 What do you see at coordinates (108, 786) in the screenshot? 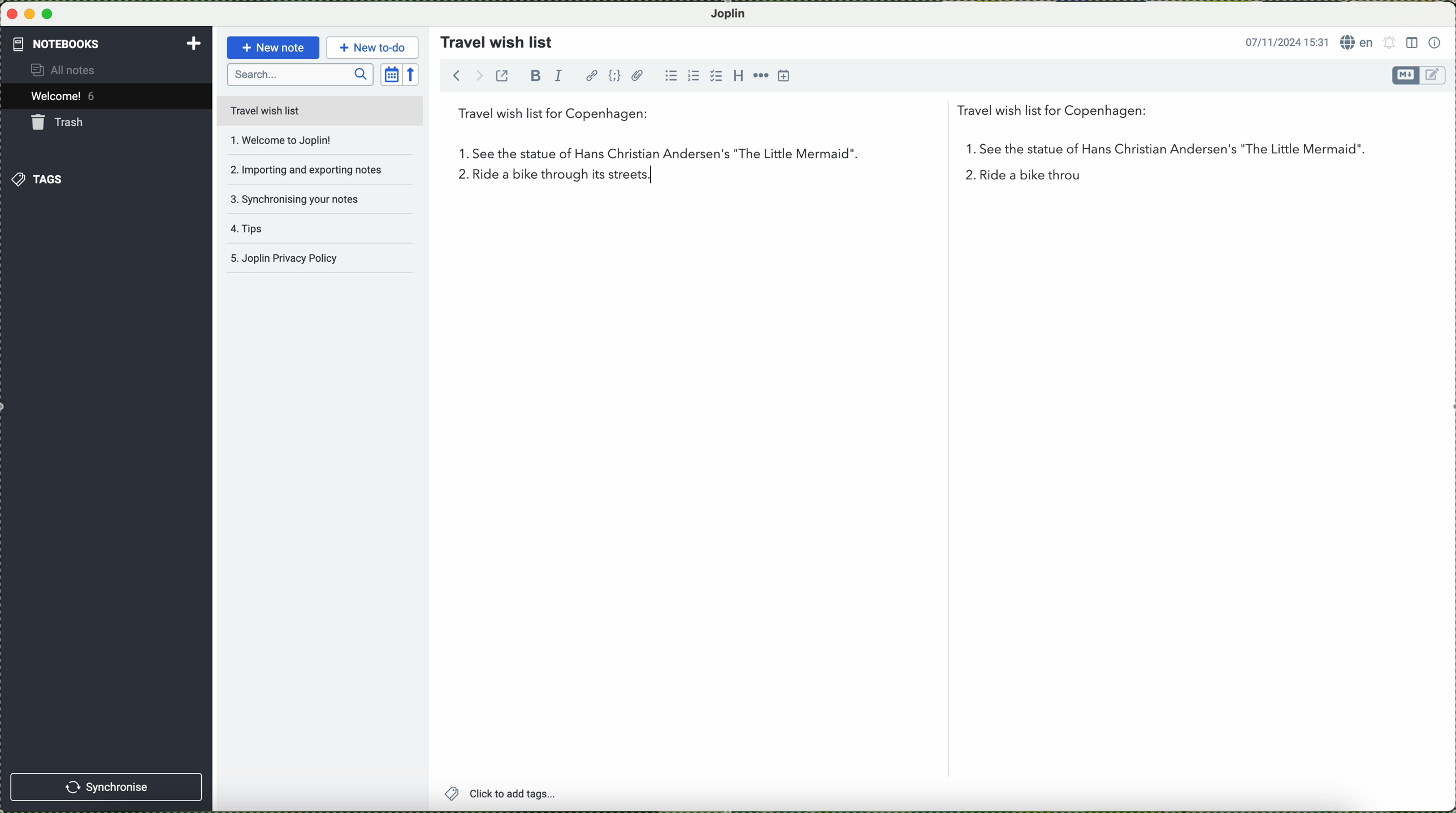
I see `synchronise button` at bounding box center [108, 786].